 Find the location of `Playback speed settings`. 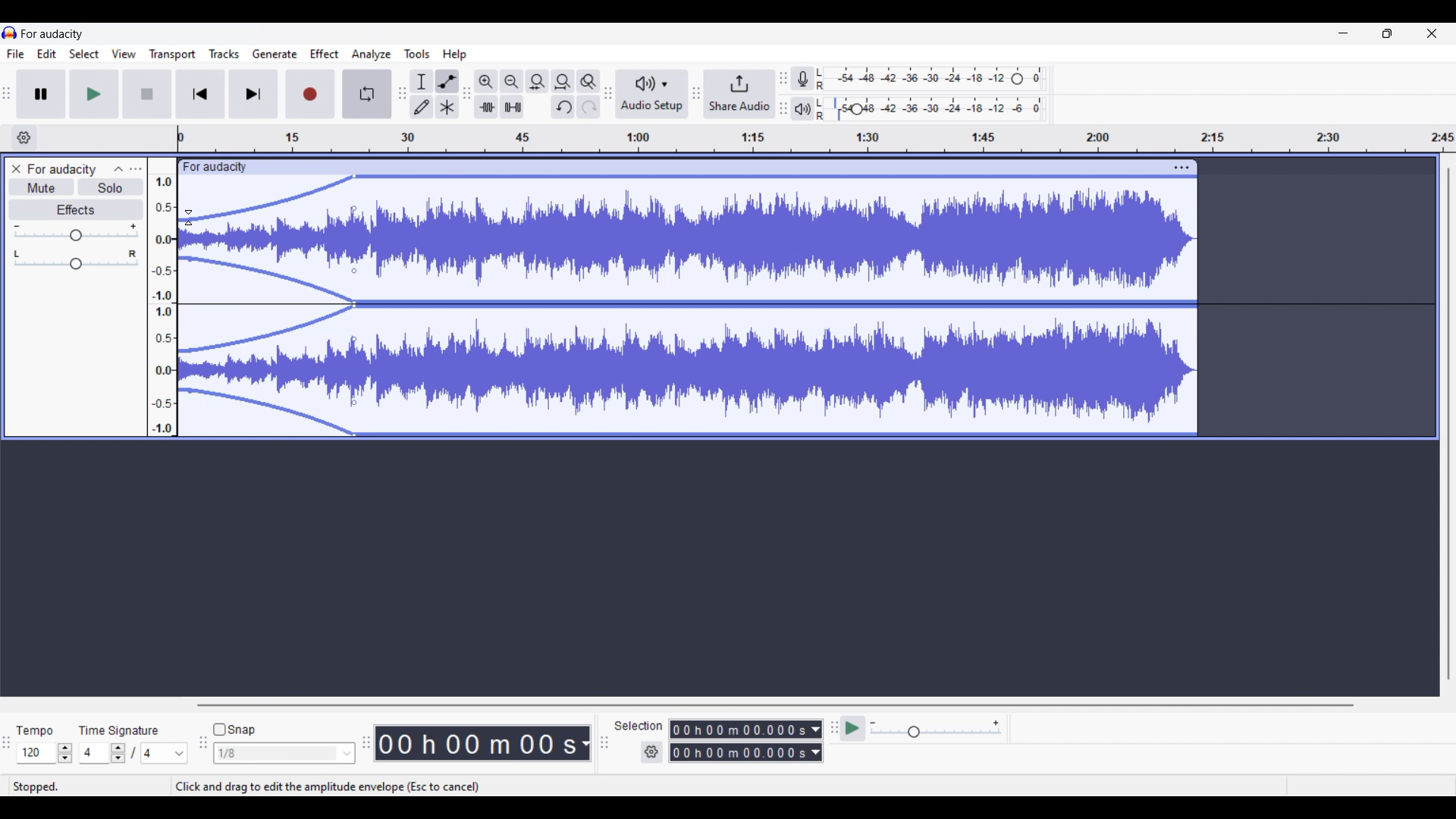

Playback speed settings is located at coordinates (936, 728).